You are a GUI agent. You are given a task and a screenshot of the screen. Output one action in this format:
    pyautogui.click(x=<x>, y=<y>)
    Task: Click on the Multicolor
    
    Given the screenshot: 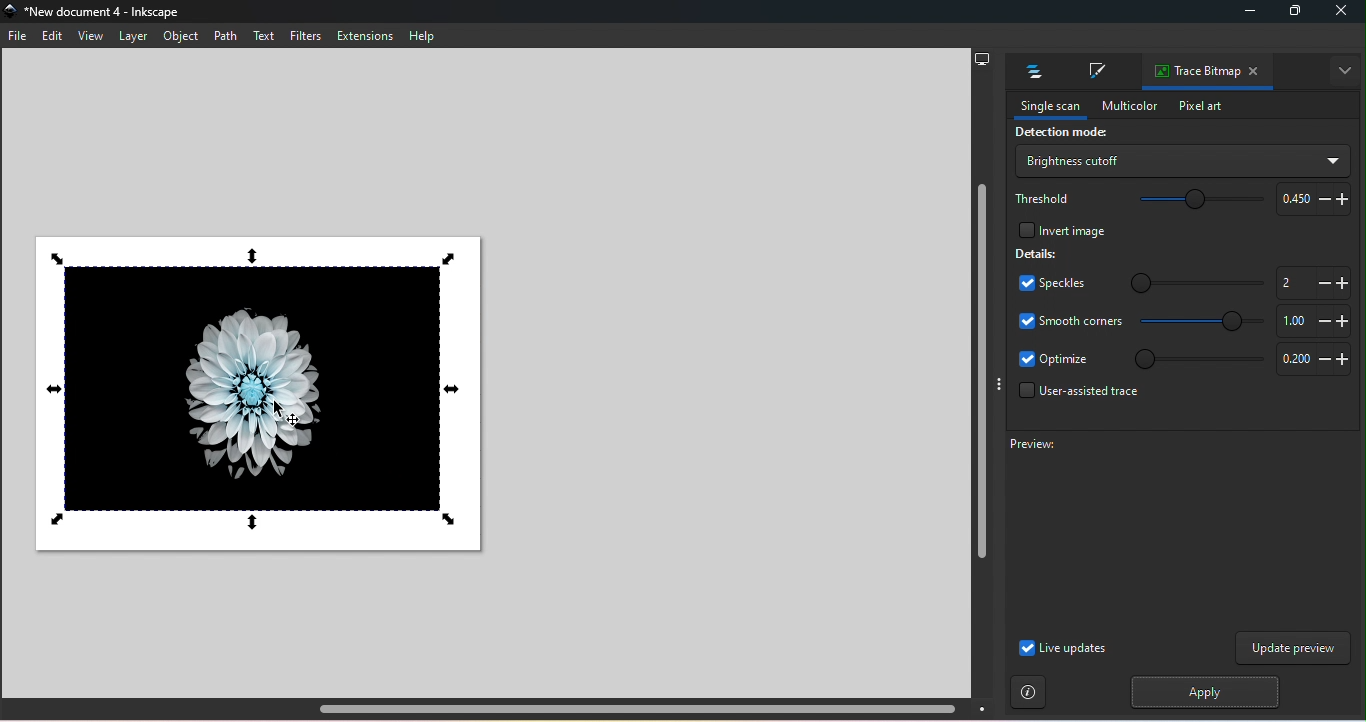 What is the action you would take?
    pyautogui.click(x=1124, y=104)
    